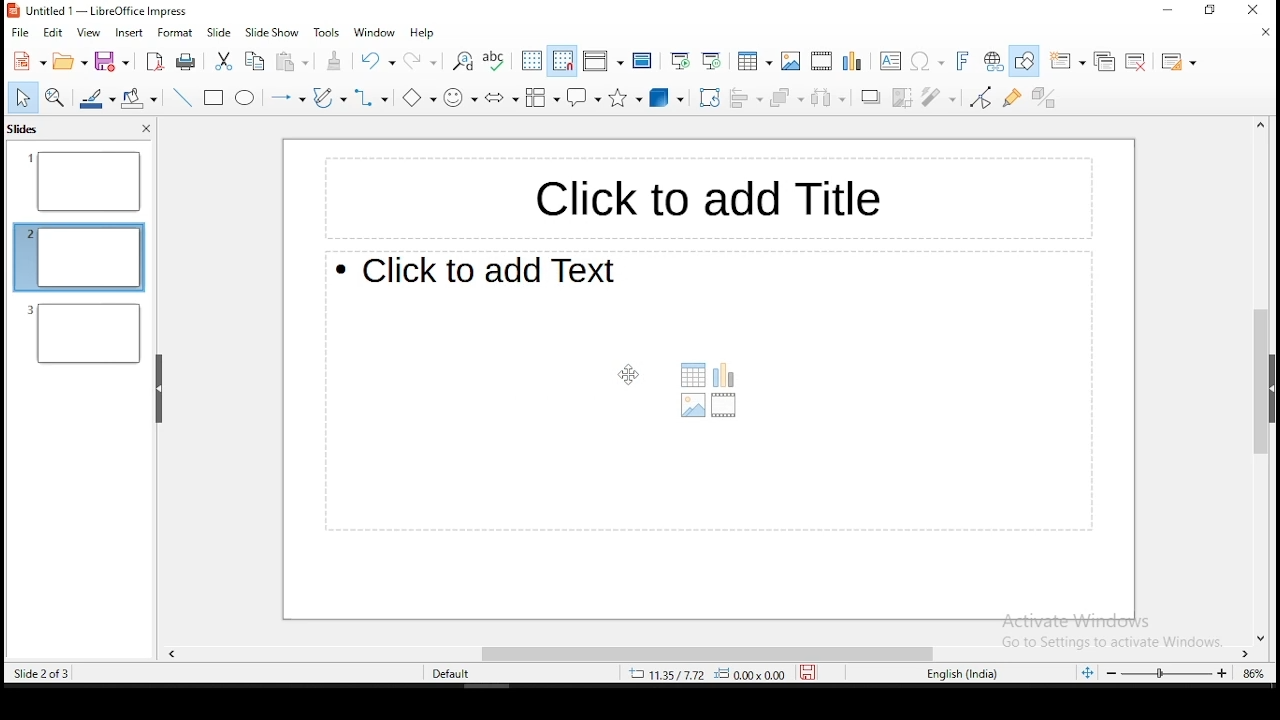 The width and height of the screenshot is (1280, 720). What do you see at coordinates (28, 60) in the screenshot?
I see `new` at bounding box center [28, 60].